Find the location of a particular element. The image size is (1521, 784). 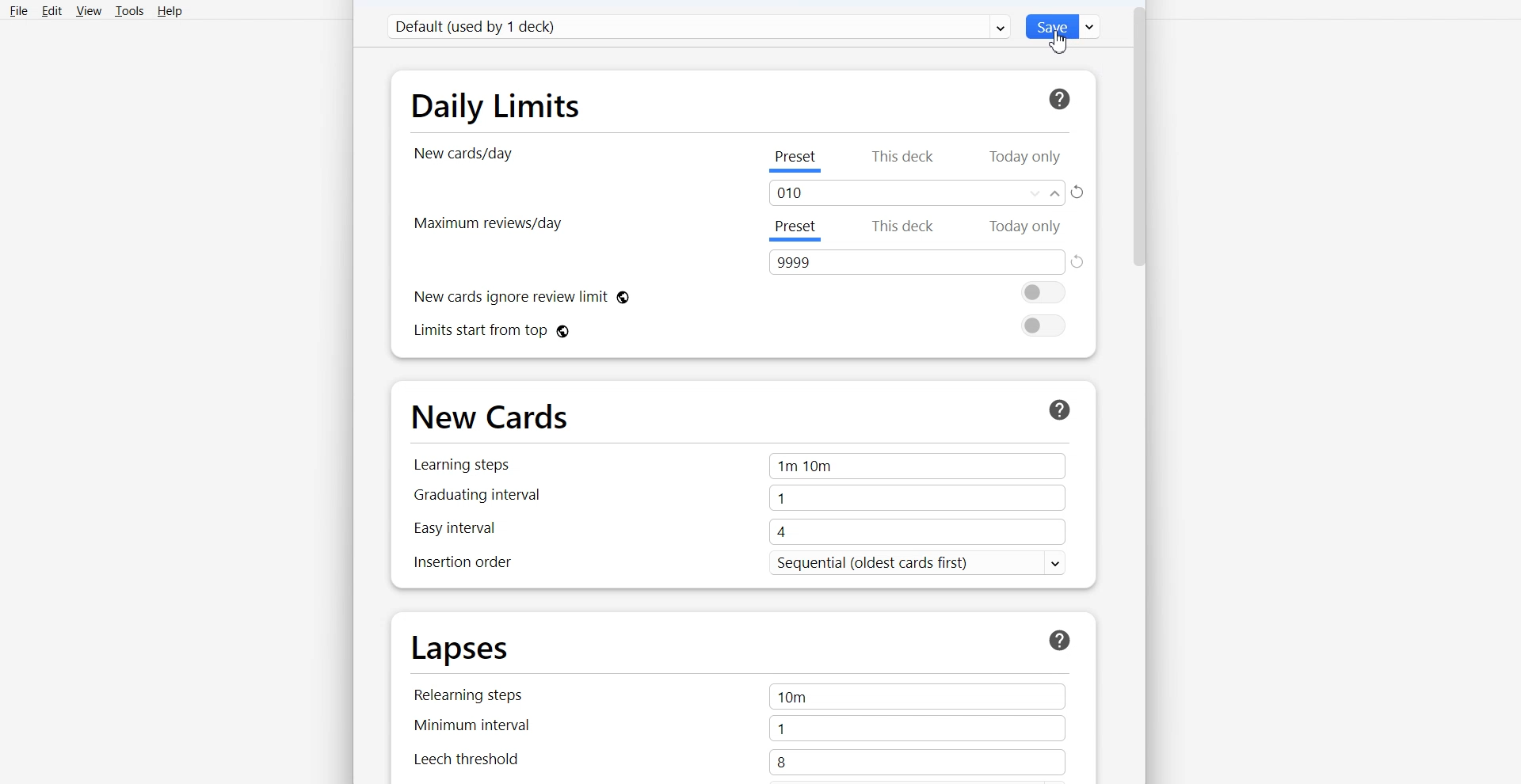

Graduating interval is located at coordinates (488, 499).